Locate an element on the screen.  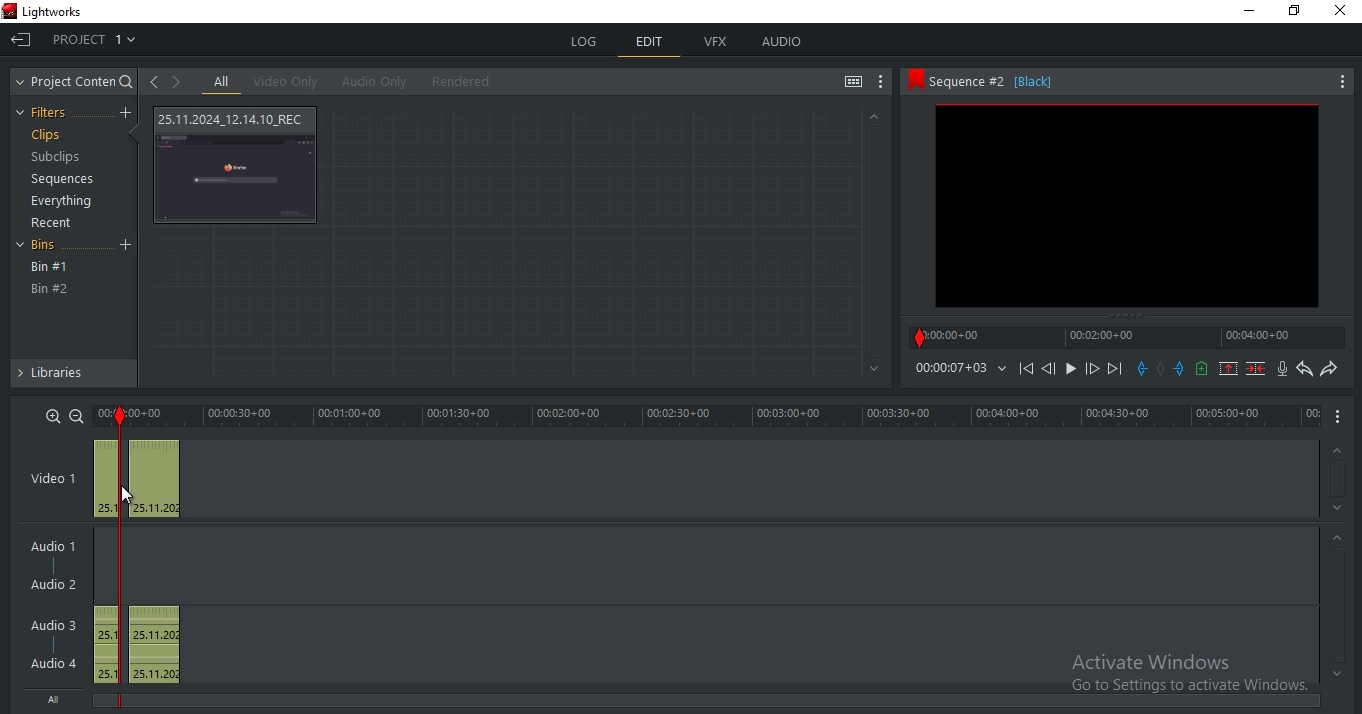
Audio 2 is located at coordinates (61, 585).